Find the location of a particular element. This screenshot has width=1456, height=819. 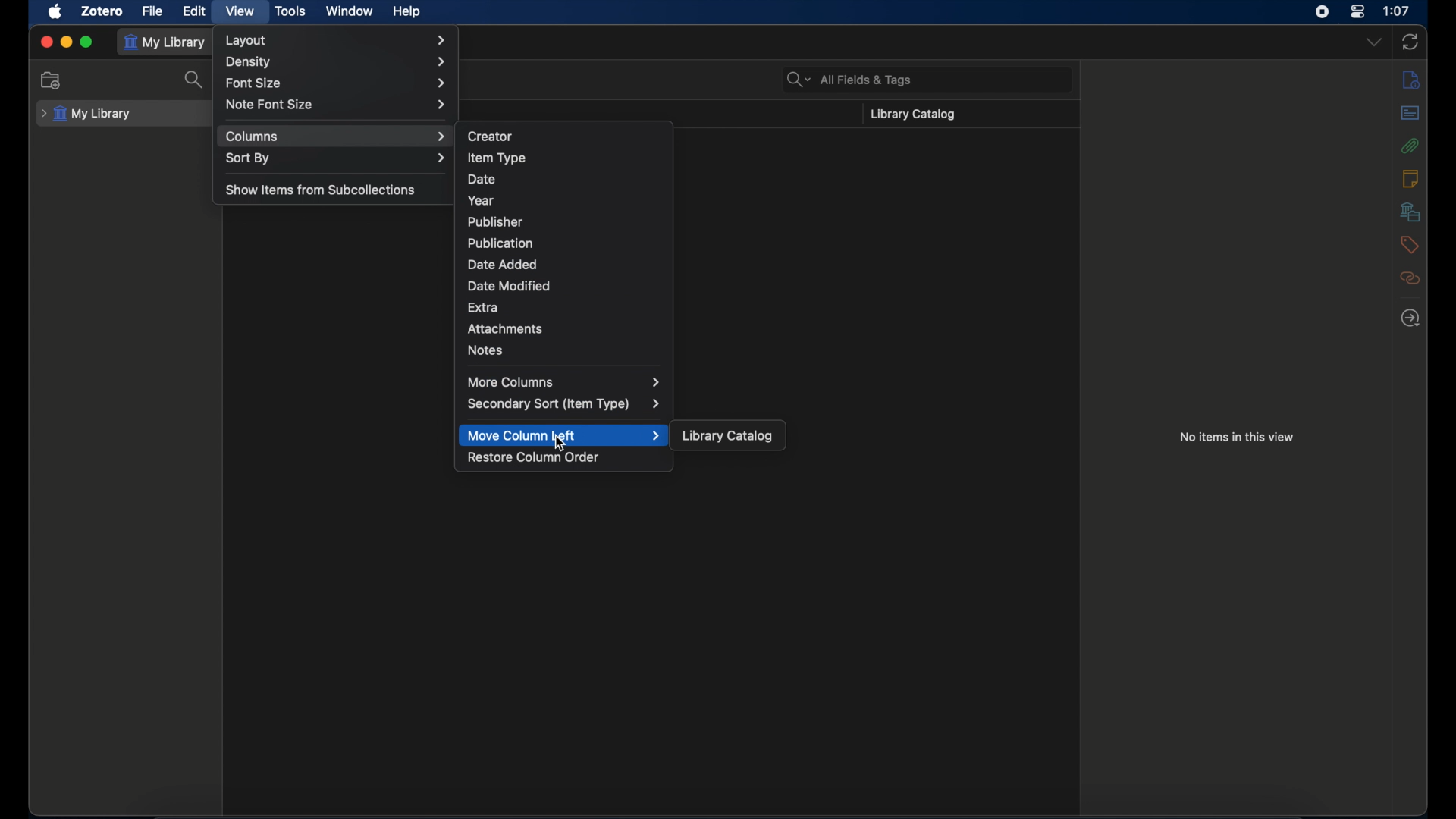

tags is located at coordinates (1409, 244).